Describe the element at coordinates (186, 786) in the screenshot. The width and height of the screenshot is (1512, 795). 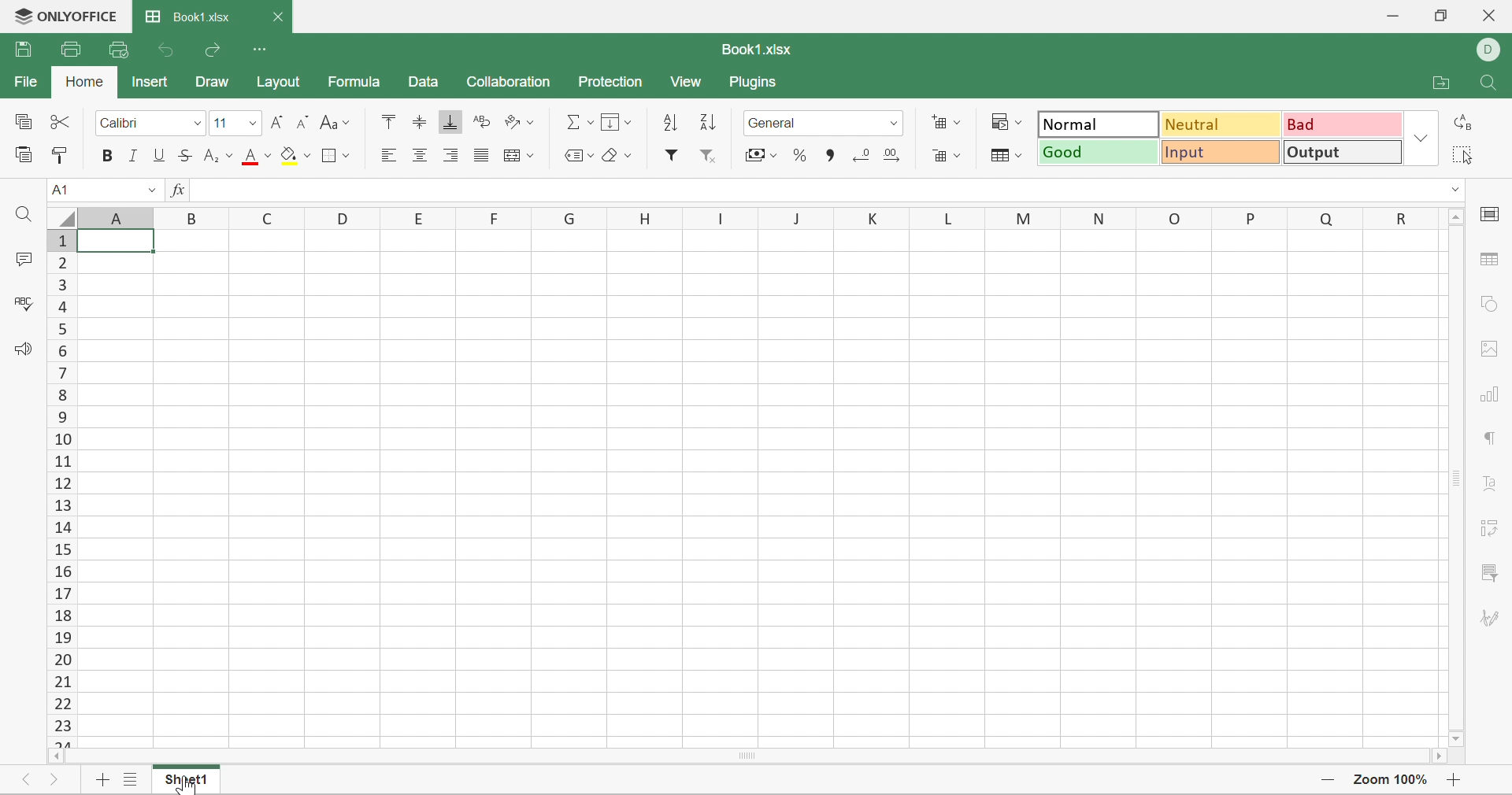
I see `Cursor` at that location.